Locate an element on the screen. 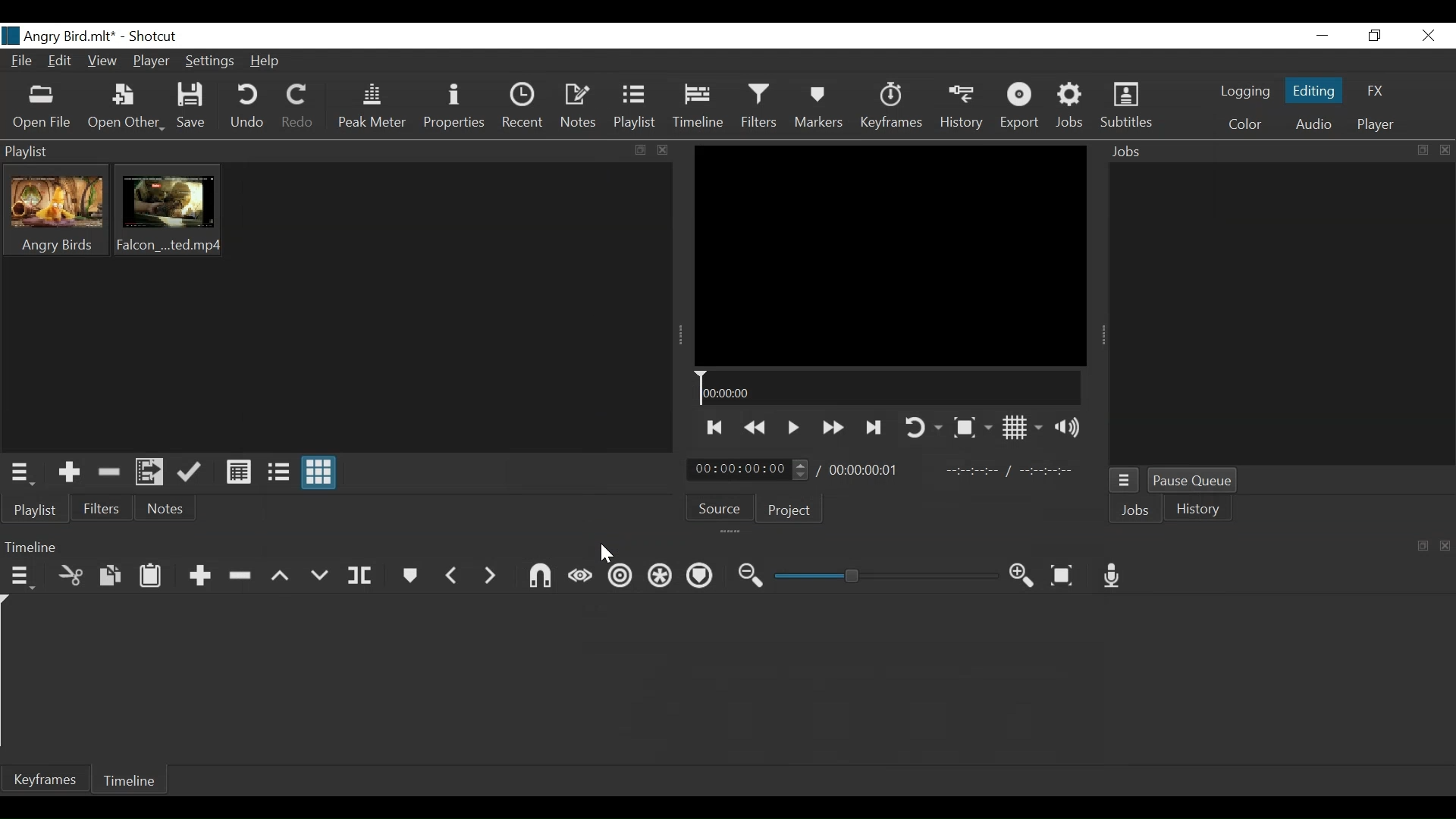 Image resolution: width=1456 pixels, height=819 pixels. Zoom timeline in is located at coordinates (750, 576).